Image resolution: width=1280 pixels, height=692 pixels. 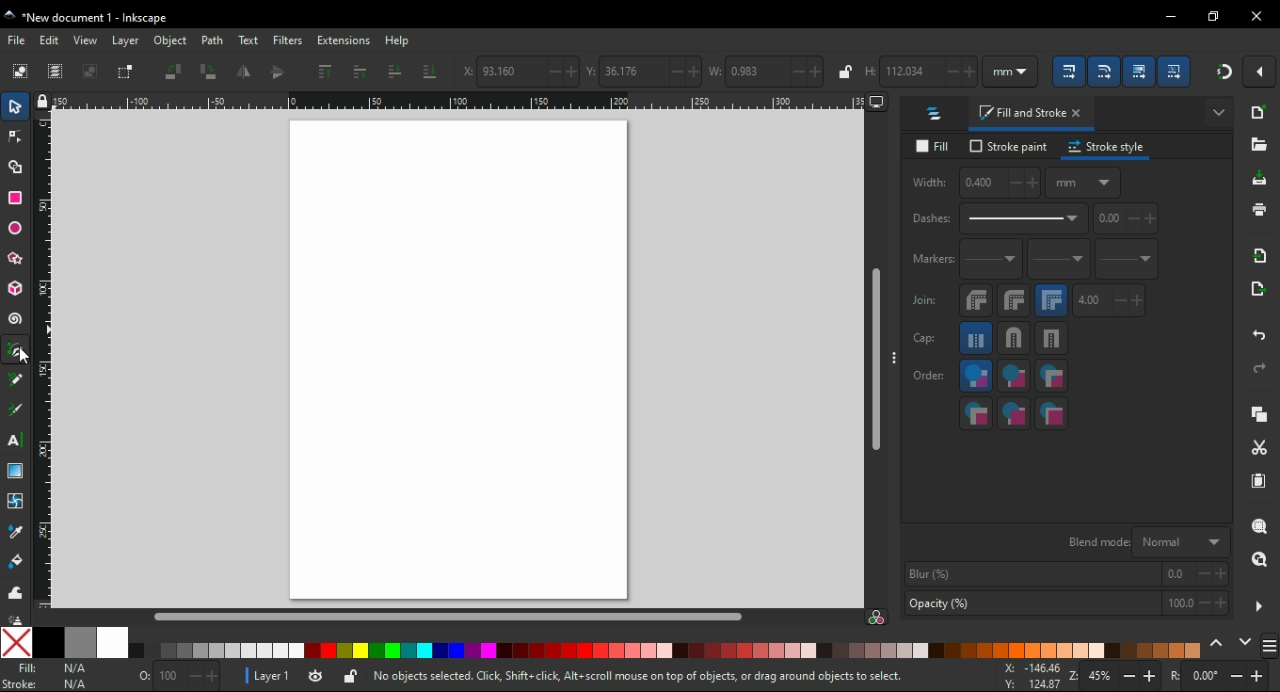 I want to click on last markers, so click(x=1125, y=259).